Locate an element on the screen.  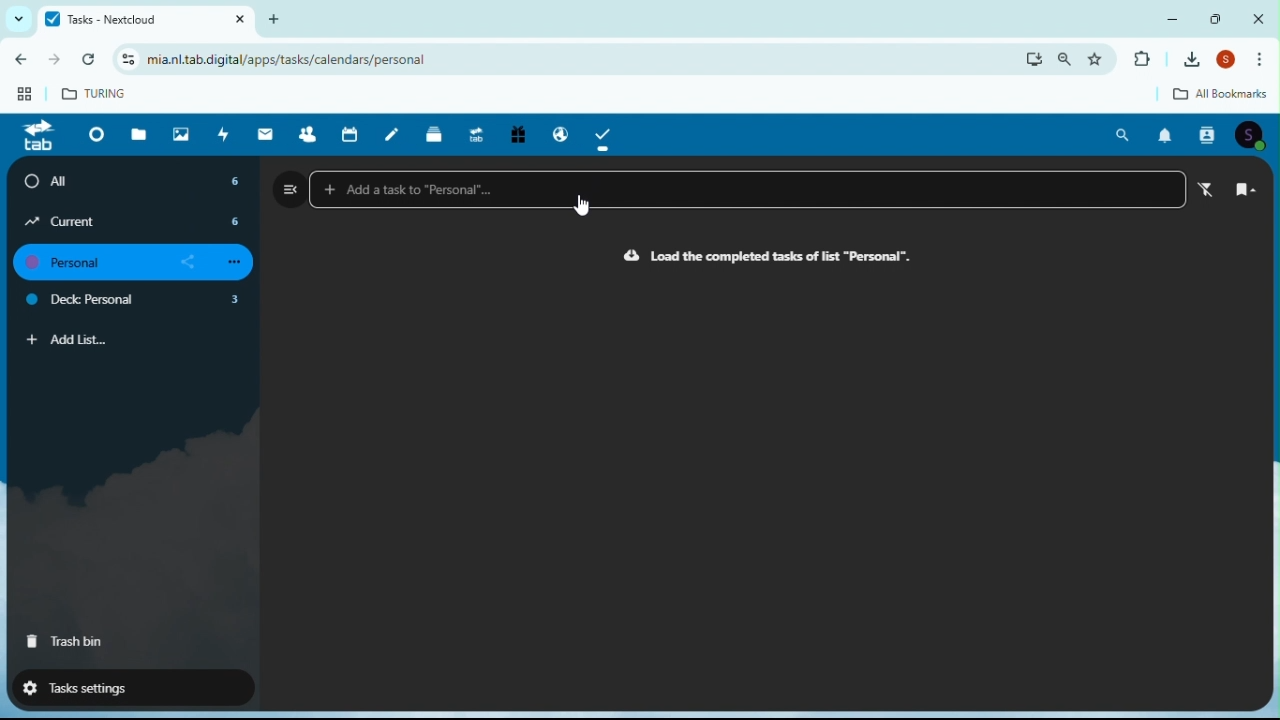
Personal is located at coordinates (128, 263).